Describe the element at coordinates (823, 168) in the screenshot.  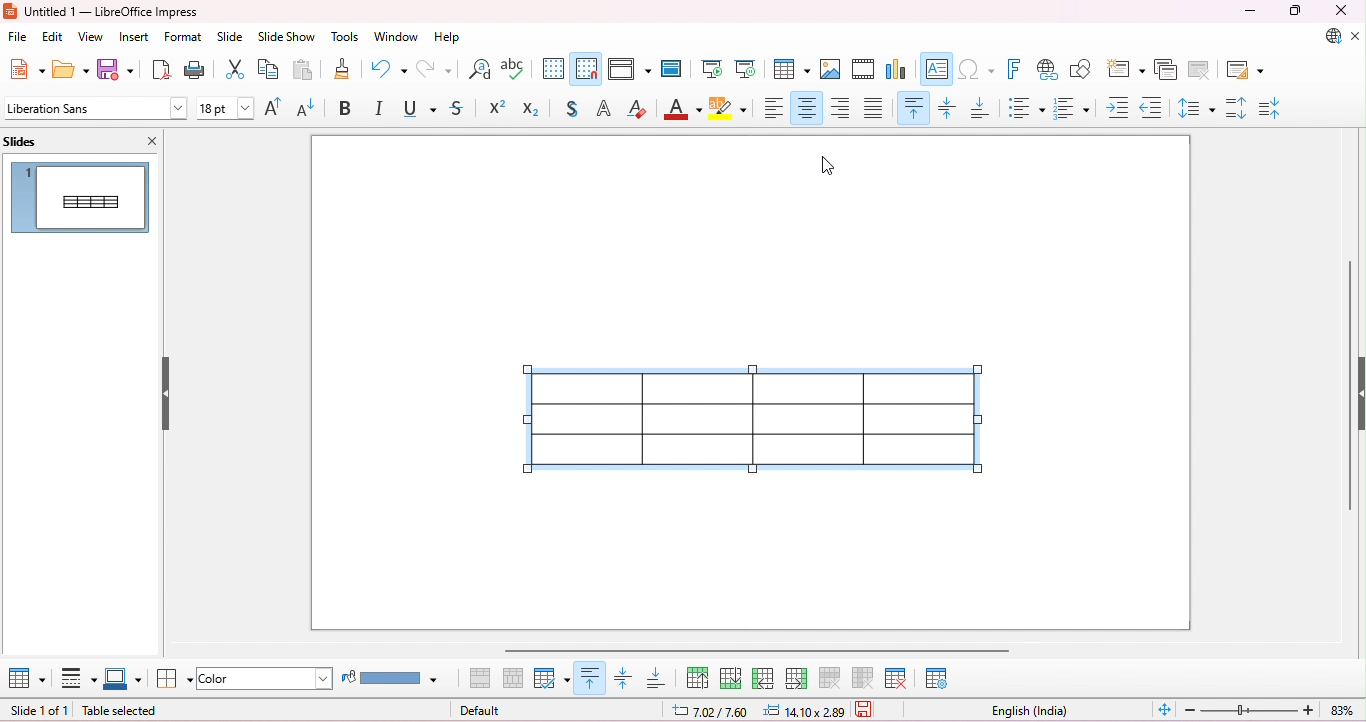
I see `cursor` at that location.